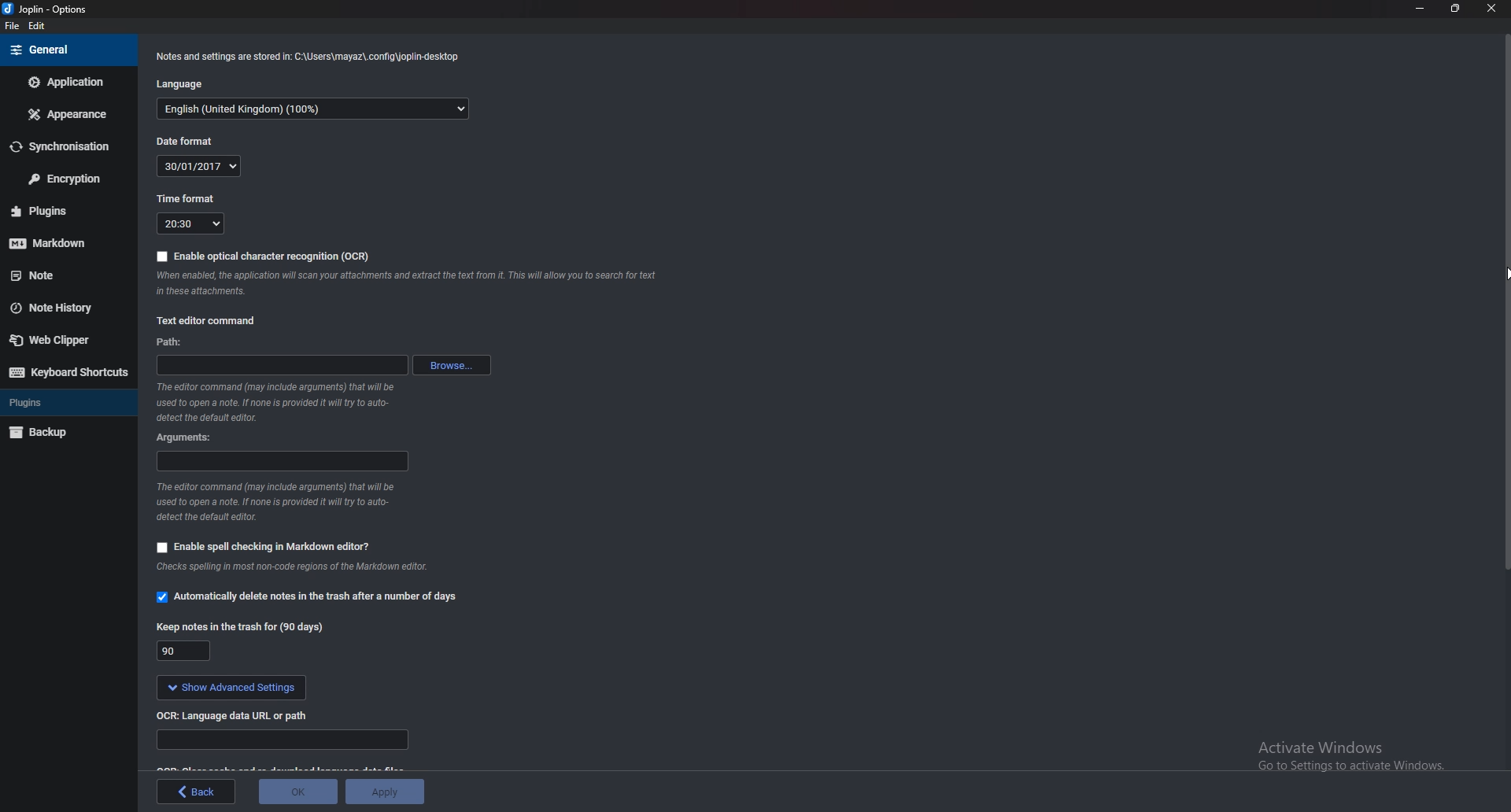 The image size is (1511, 812). I want to click on 90 days, so click(186, 651).